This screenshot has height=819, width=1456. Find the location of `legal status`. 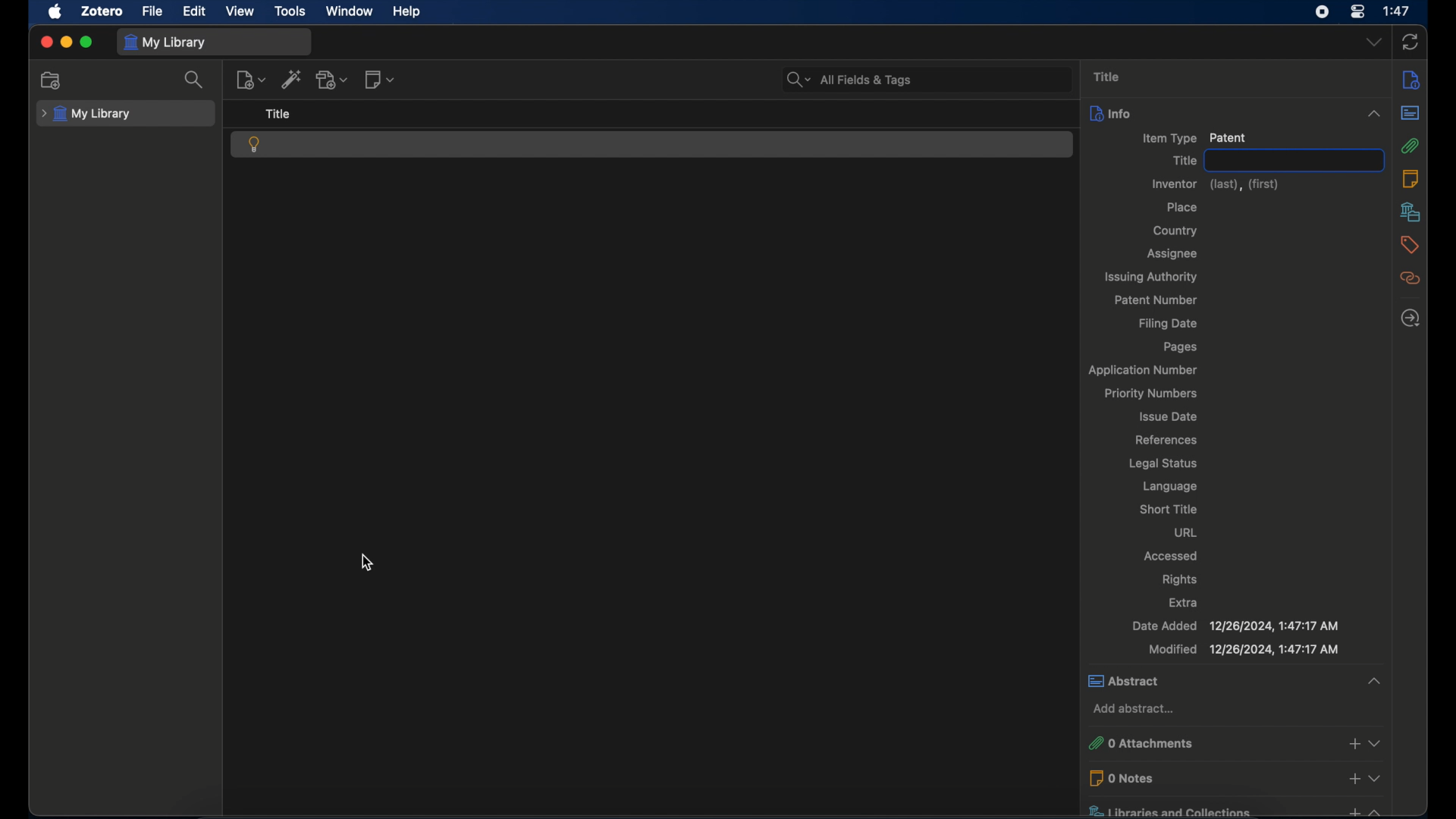

legal status is located at coordinates (1163, 463).